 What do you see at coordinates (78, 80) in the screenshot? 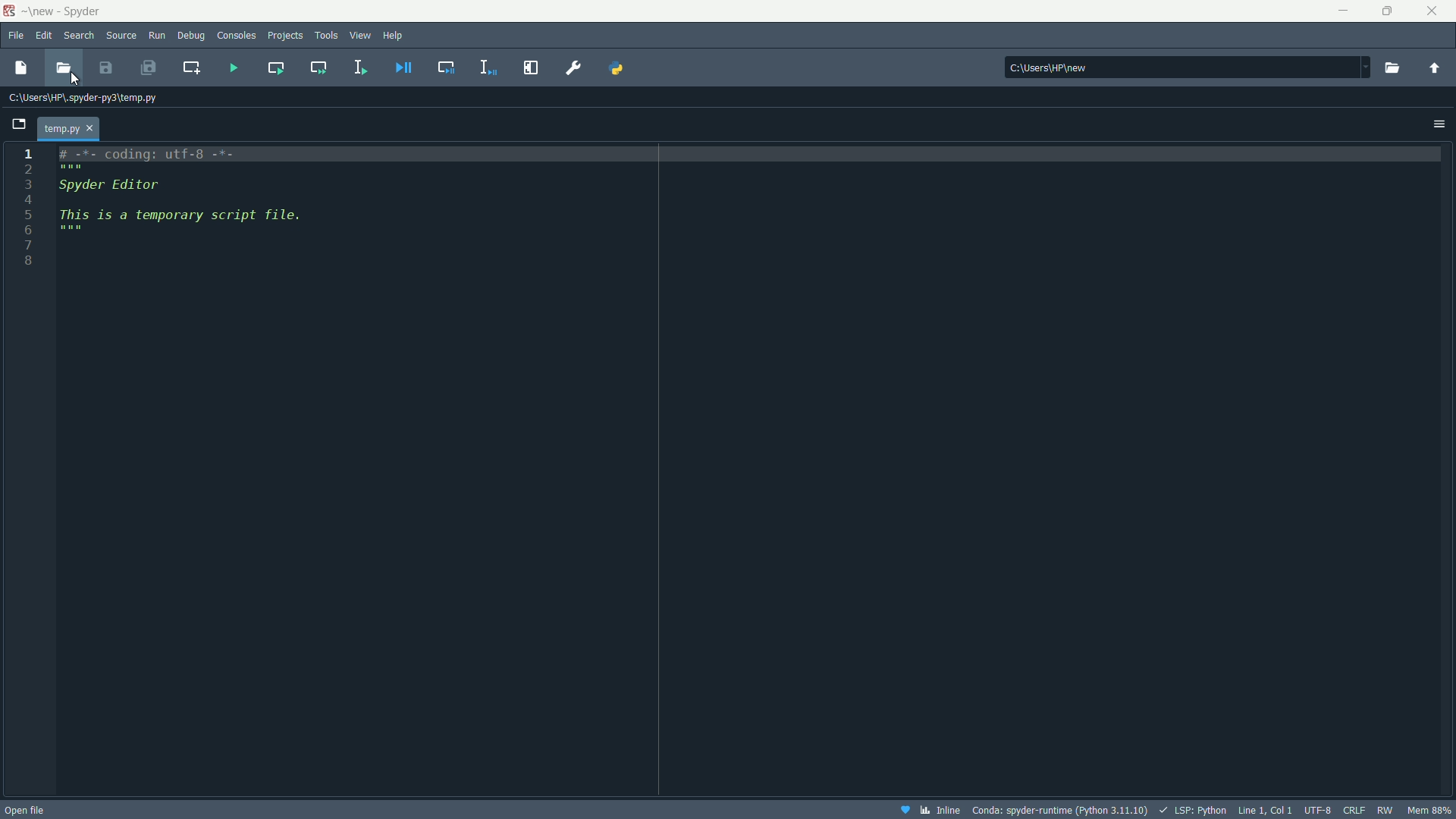
I see `Cursor` at bounding box center [78, 80].